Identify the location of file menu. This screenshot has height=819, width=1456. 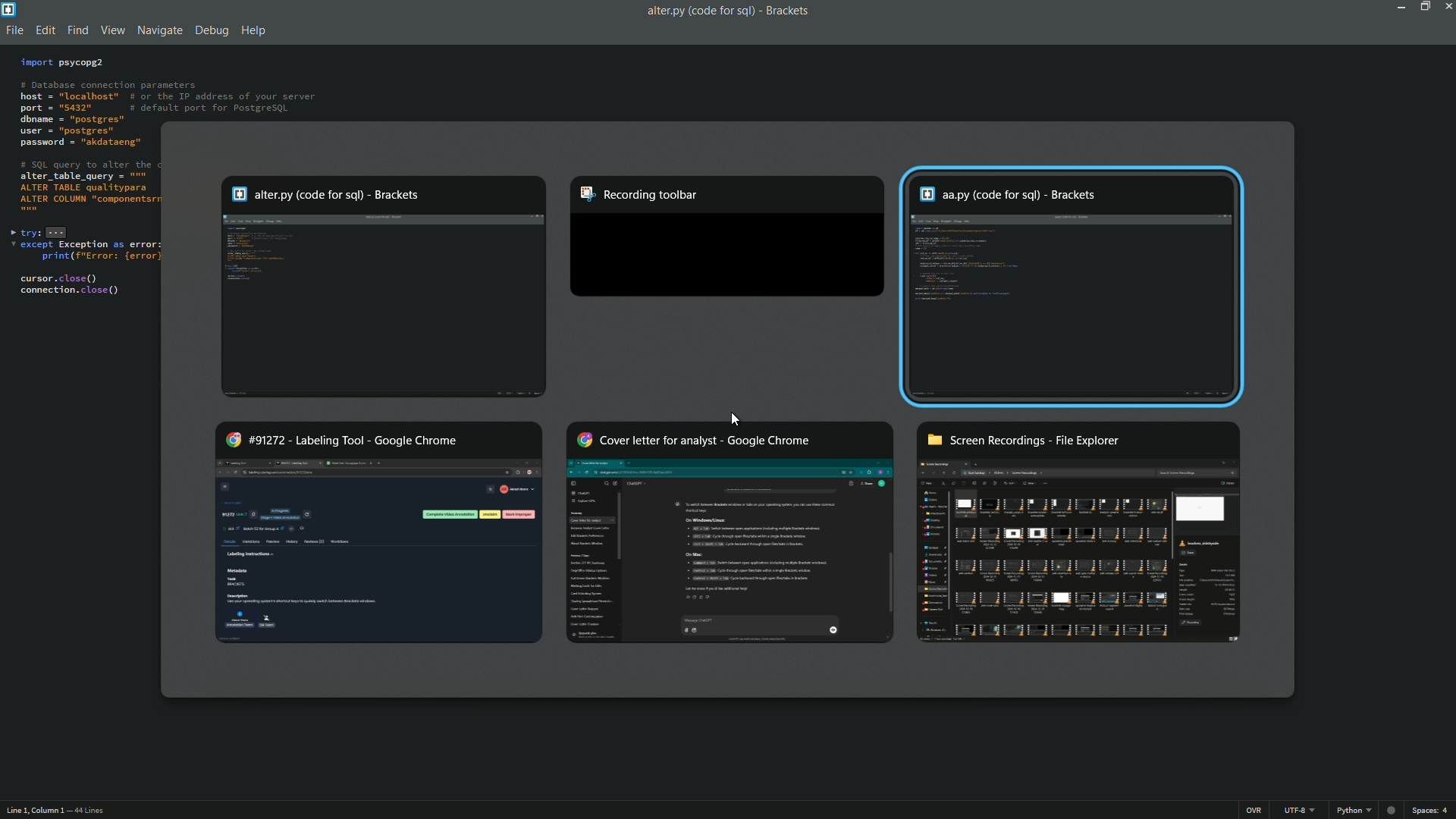
(14, 32).